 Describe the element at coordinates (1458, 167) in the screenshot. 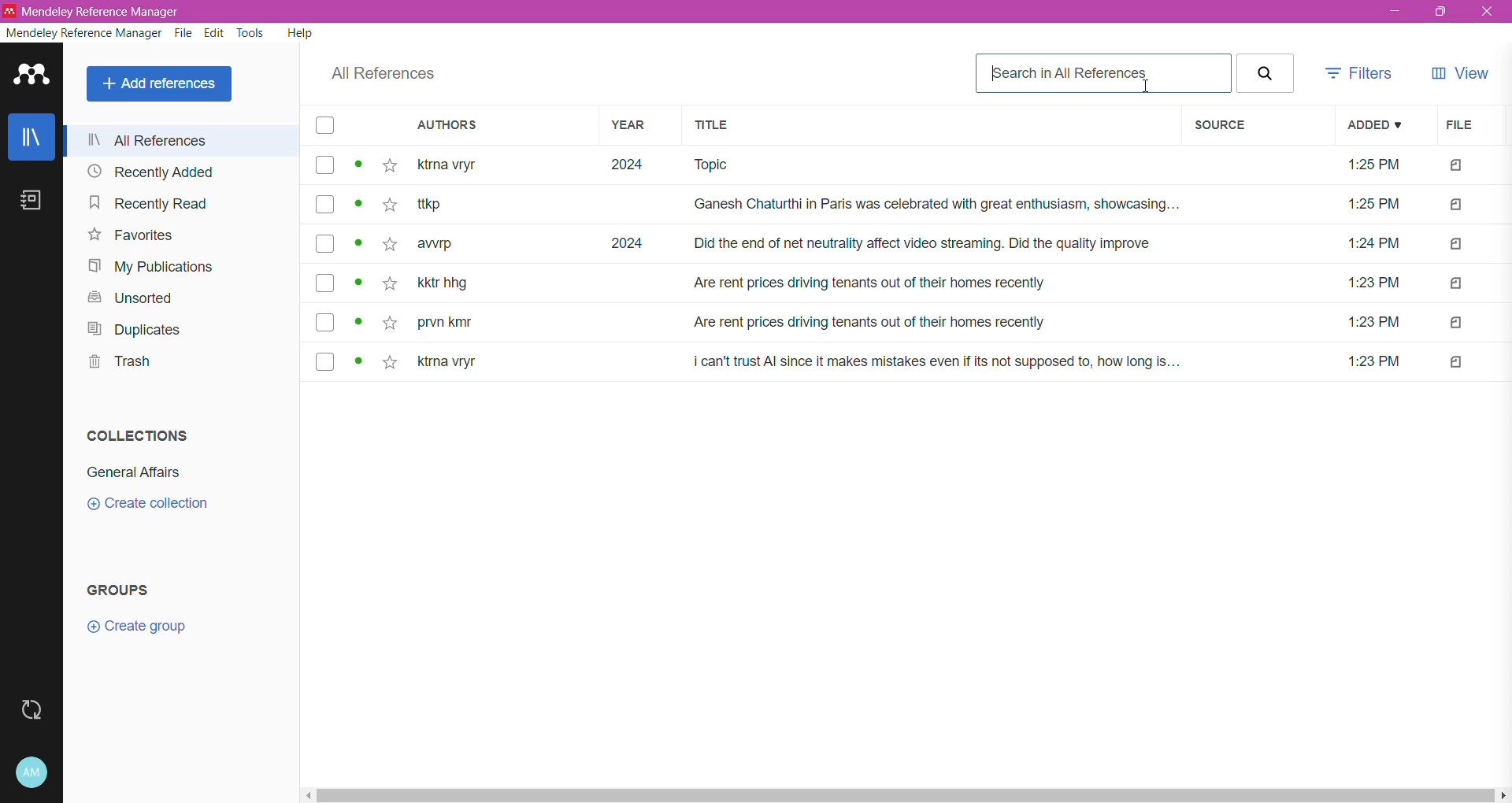

I see `file type` at that location.